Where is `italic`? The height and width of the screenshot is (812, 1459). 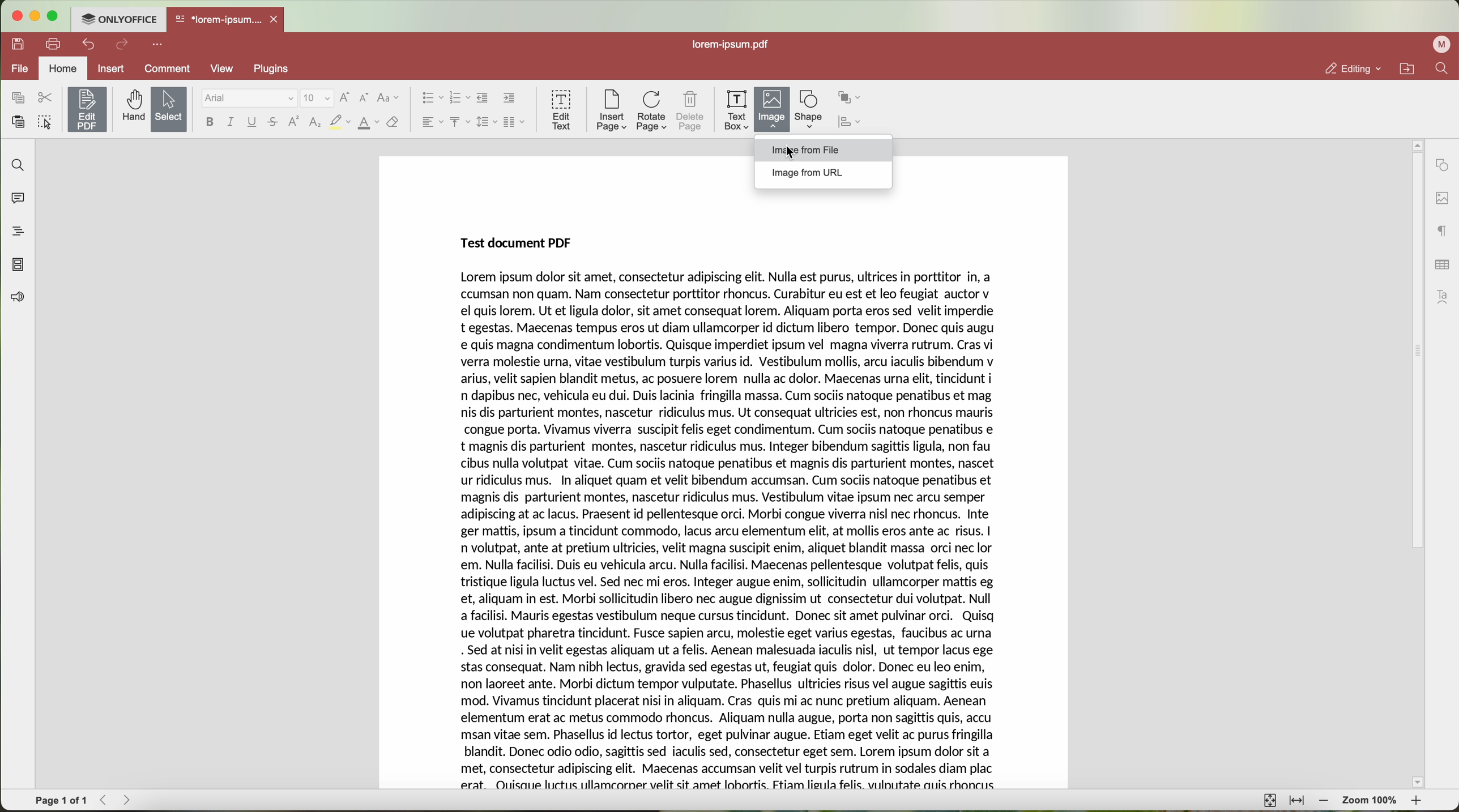 italic is located at coordinates (231, 122).